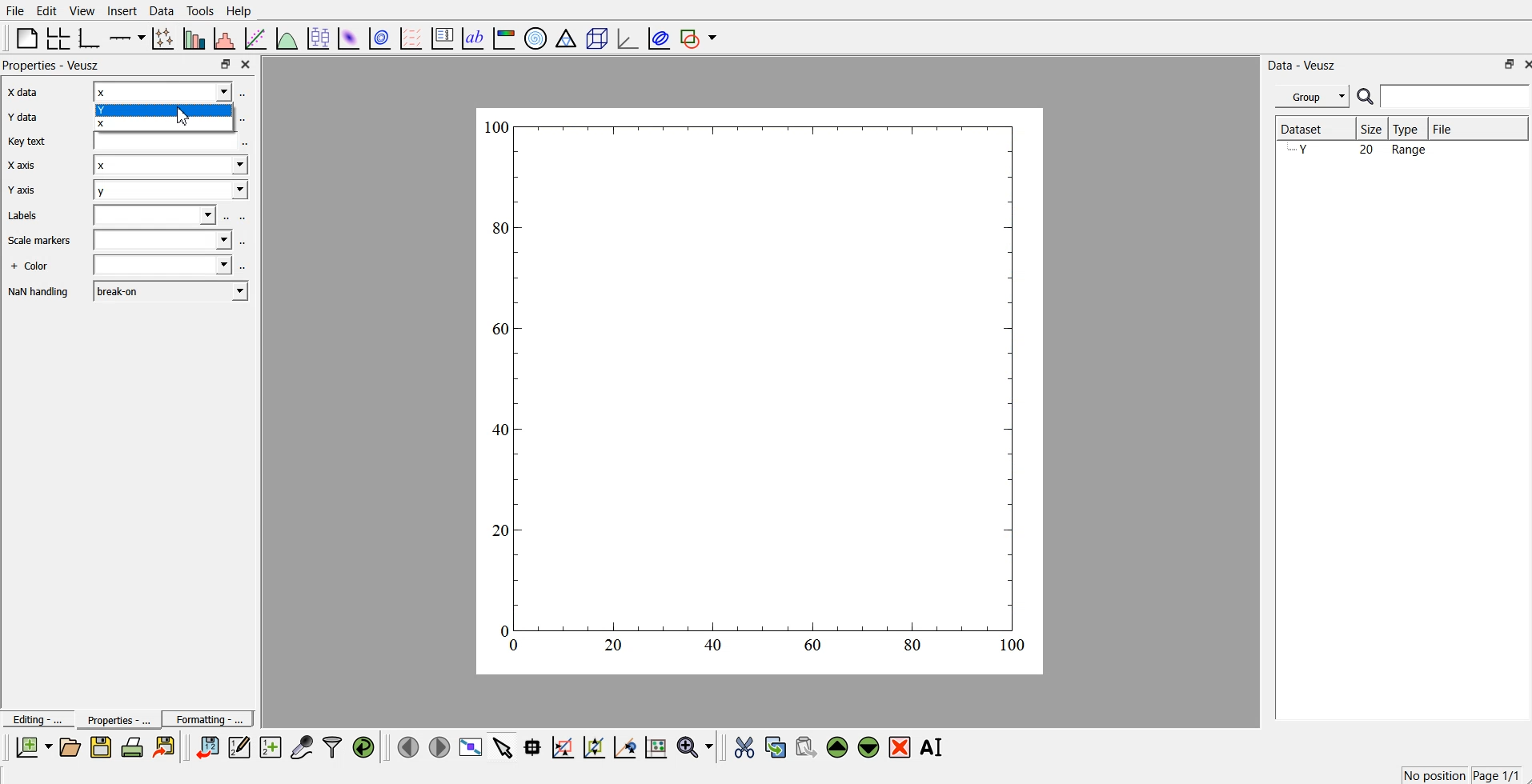  I want to click on click to draw rectangle, so click(563, 746).